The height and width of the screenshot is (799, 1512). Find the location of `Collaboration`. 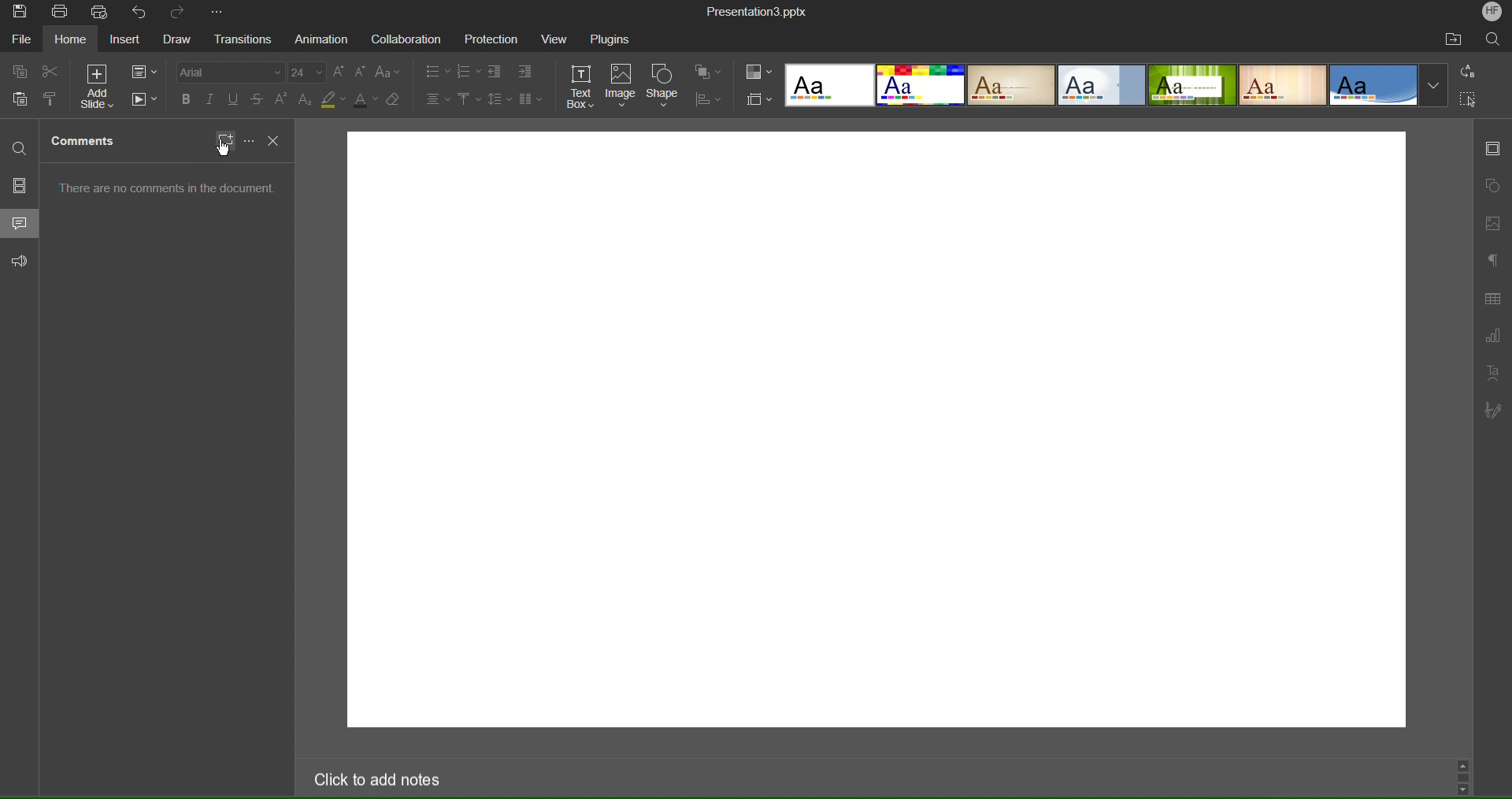

Collaboration is located at coordinates (406, 40).